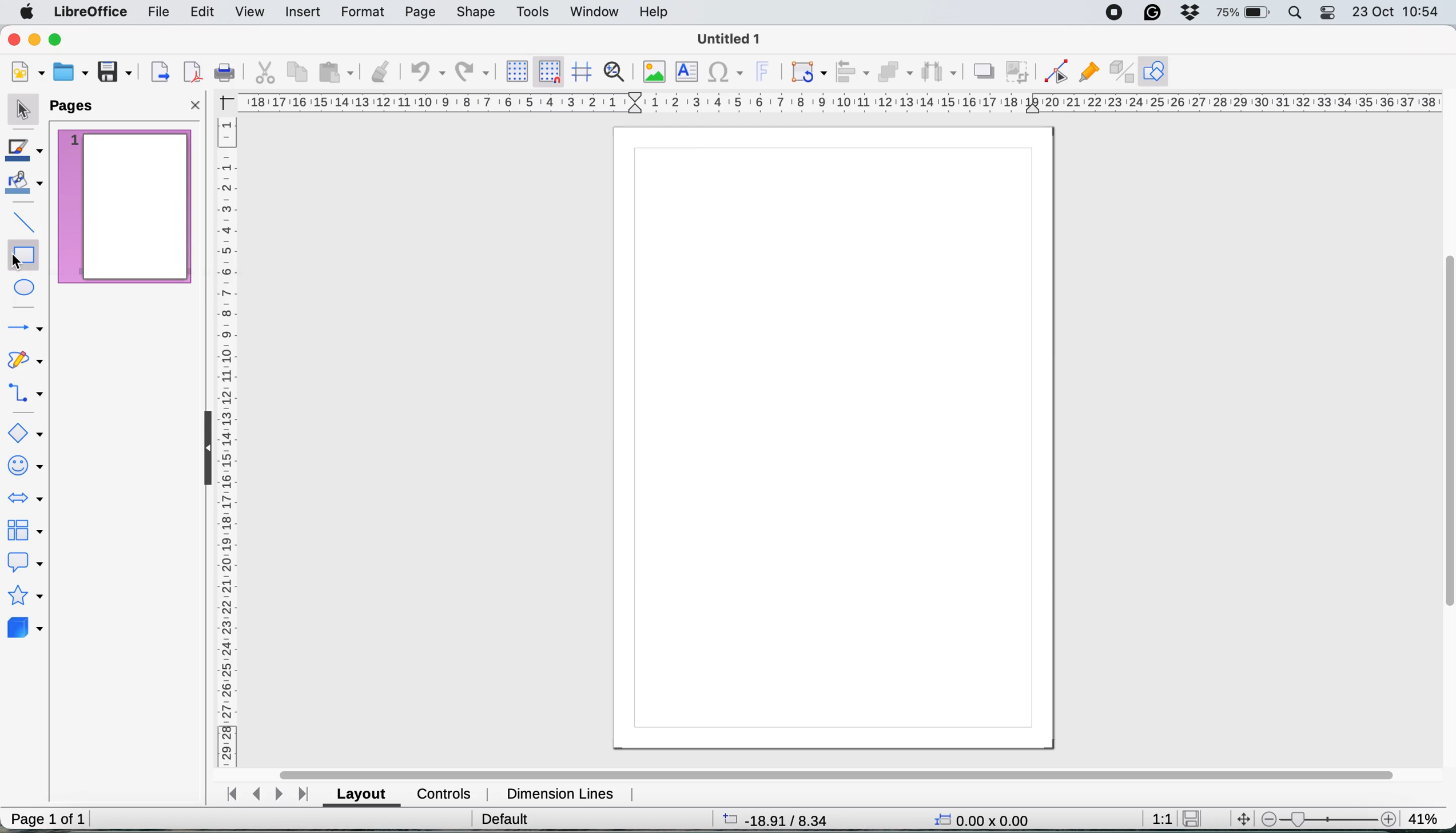 Image resolution: width=1456 pixels, height=833 pixels. Describe the element at coordinates (1328, 816) in the screenshot. I see `zoom scale` at that location.